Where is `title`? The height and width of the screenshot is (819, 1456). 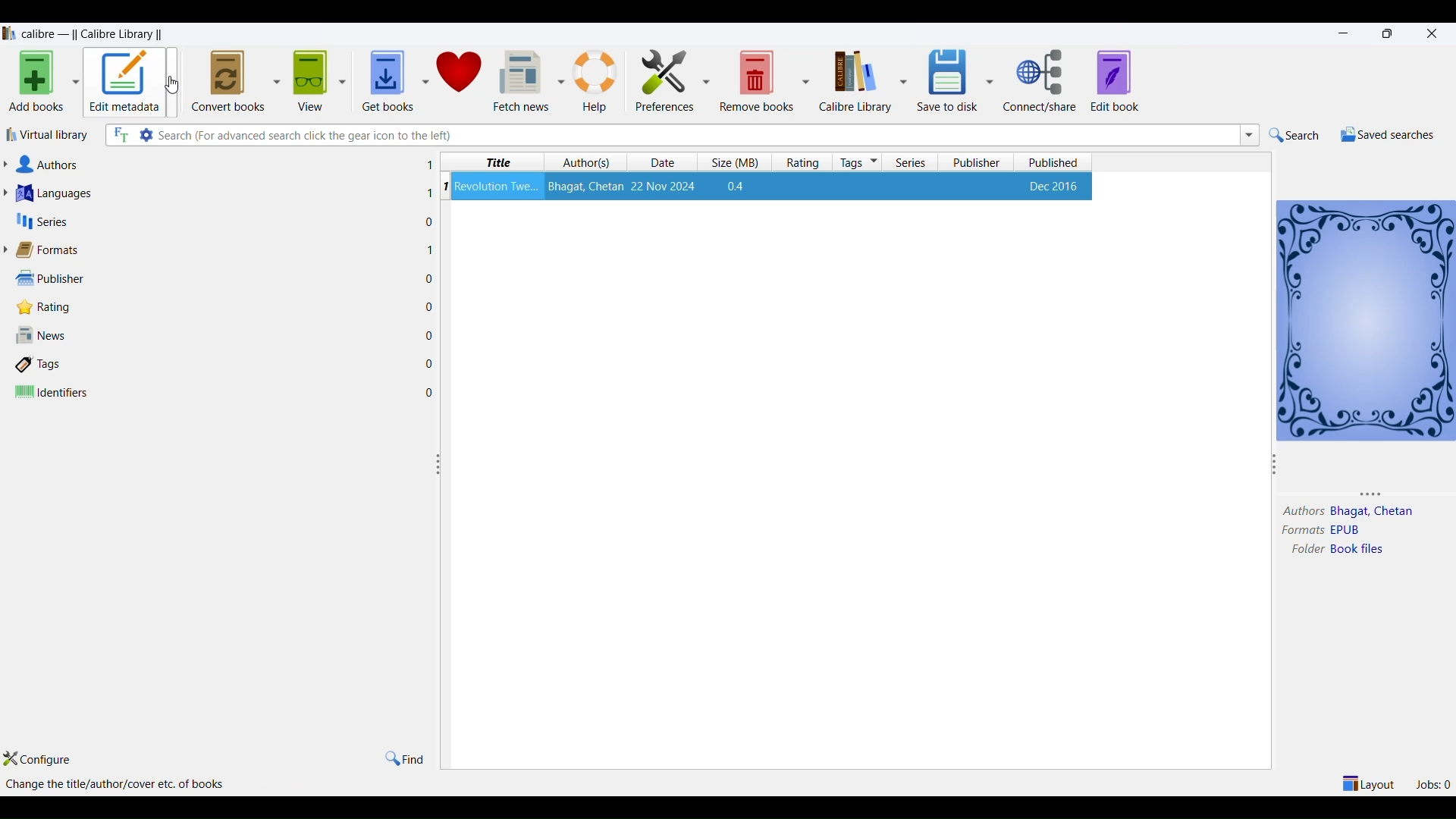 title is located at coordinates (494, 162).